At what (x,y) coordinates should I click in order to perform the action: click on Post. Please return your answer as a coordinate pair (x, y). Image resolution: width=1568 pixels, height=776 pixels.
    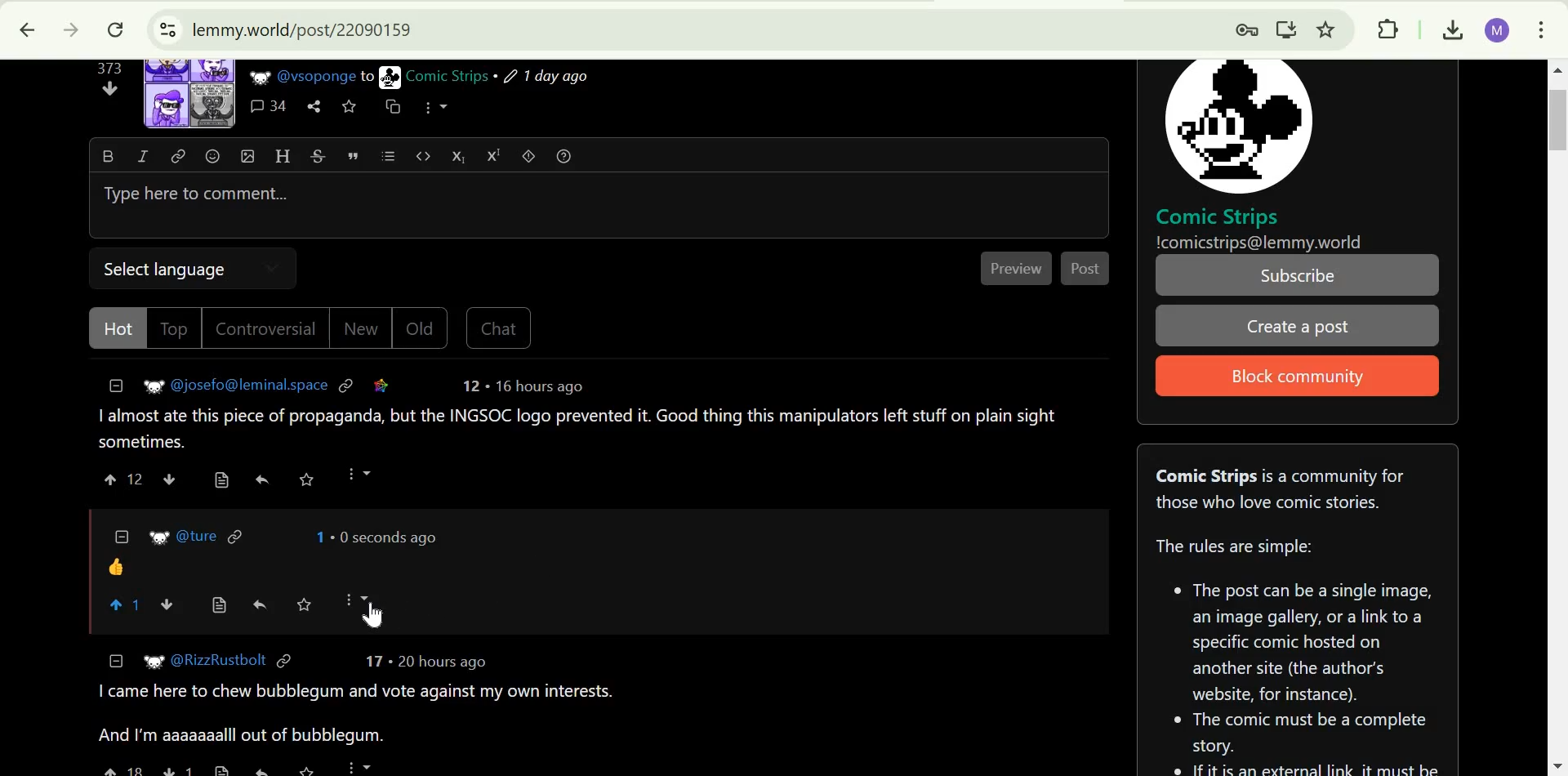
    Looking at the image, I should click on (1087, 268).